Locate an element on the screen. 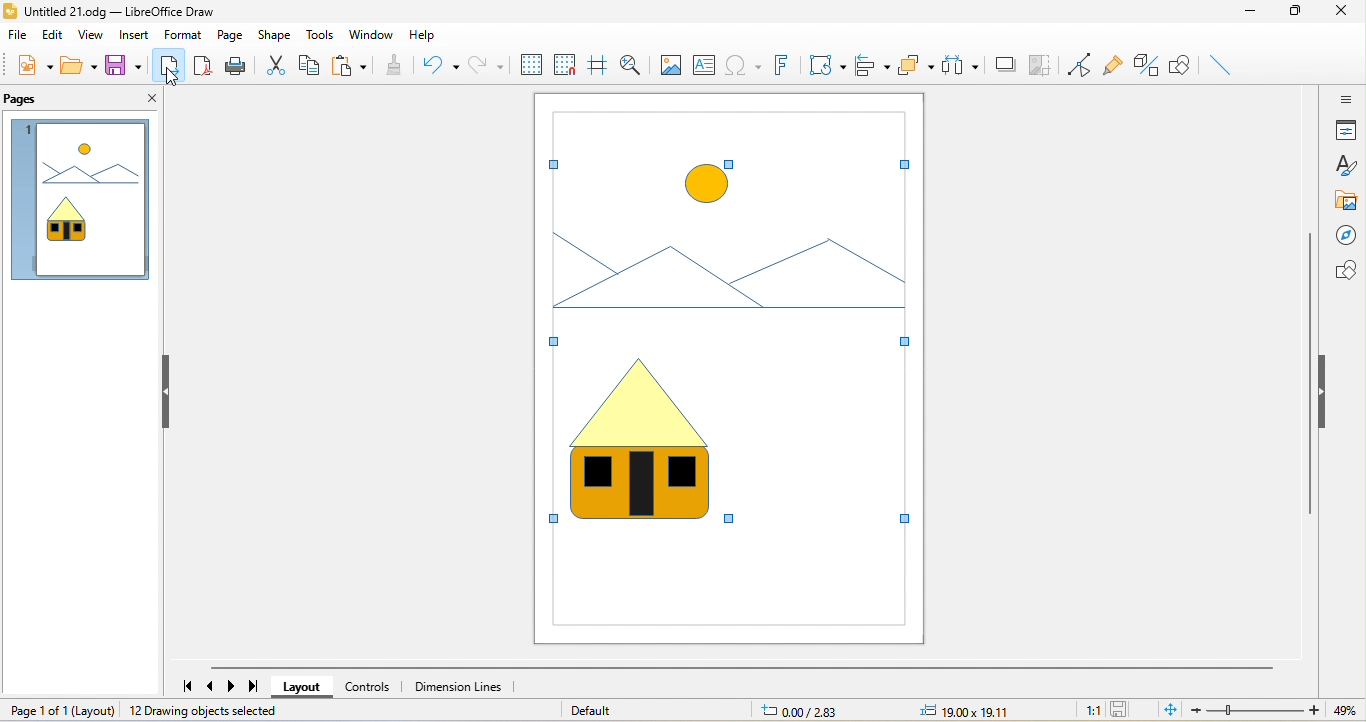  undo is located at coordinates (440, 65).